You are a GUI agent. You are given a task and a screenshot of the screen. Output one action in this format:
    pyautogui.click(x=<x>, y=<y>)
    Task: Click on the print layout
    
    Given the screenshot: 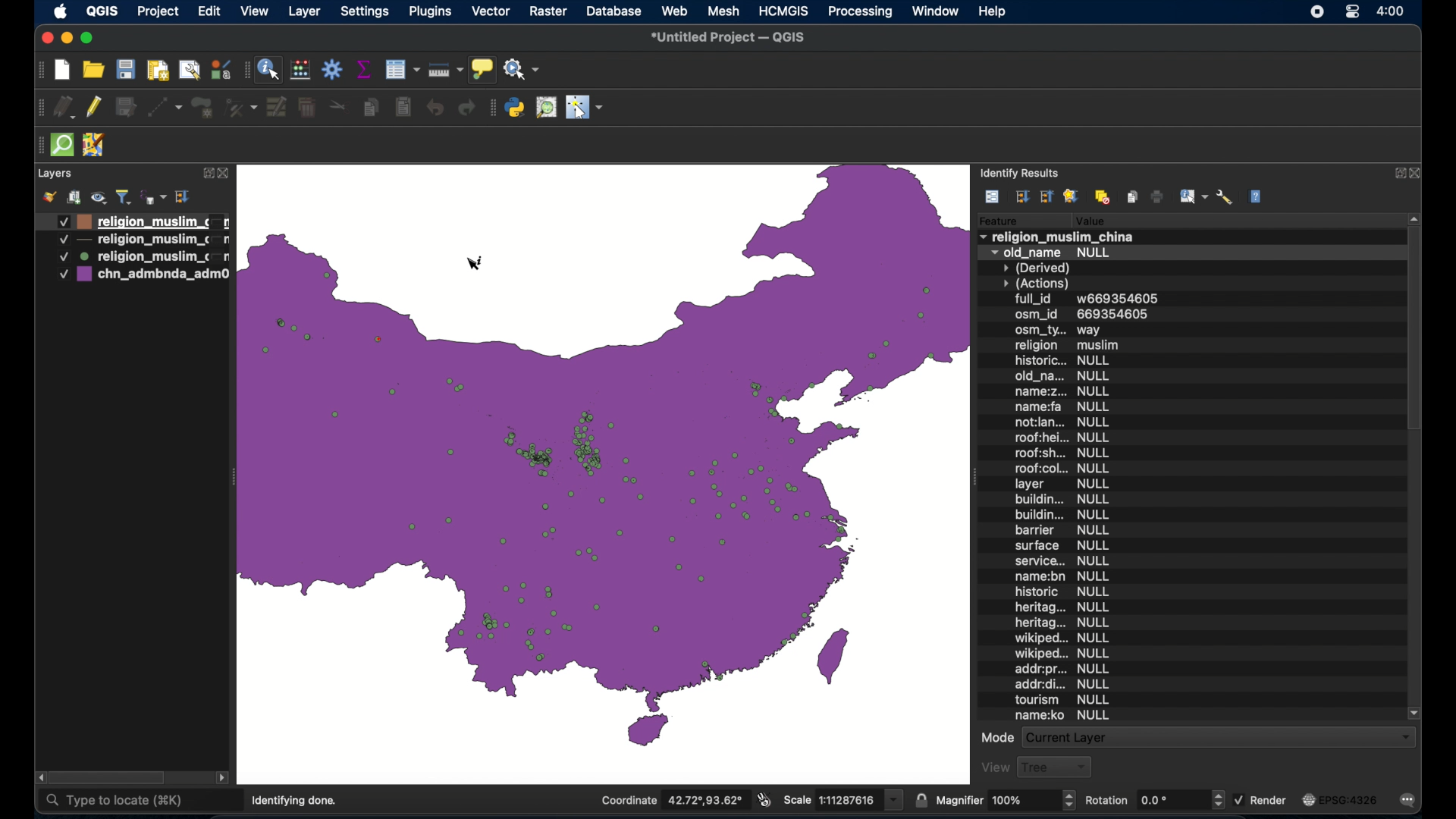 What is the action you would take?
    pyautogui.click(x=155, y=69)
    